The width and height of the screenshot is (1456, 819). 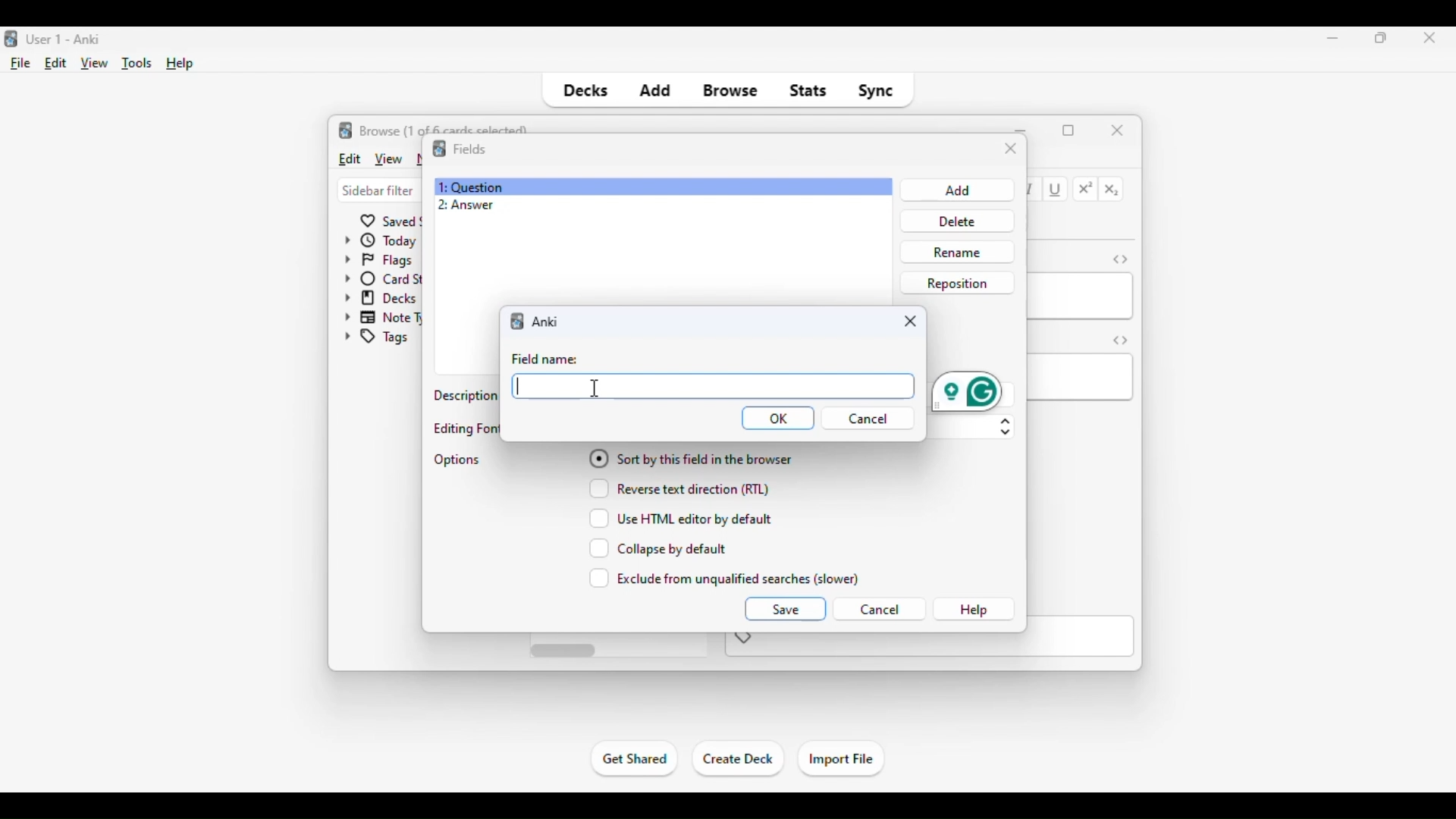 I want to click on rename, so click(x=956, y=252).